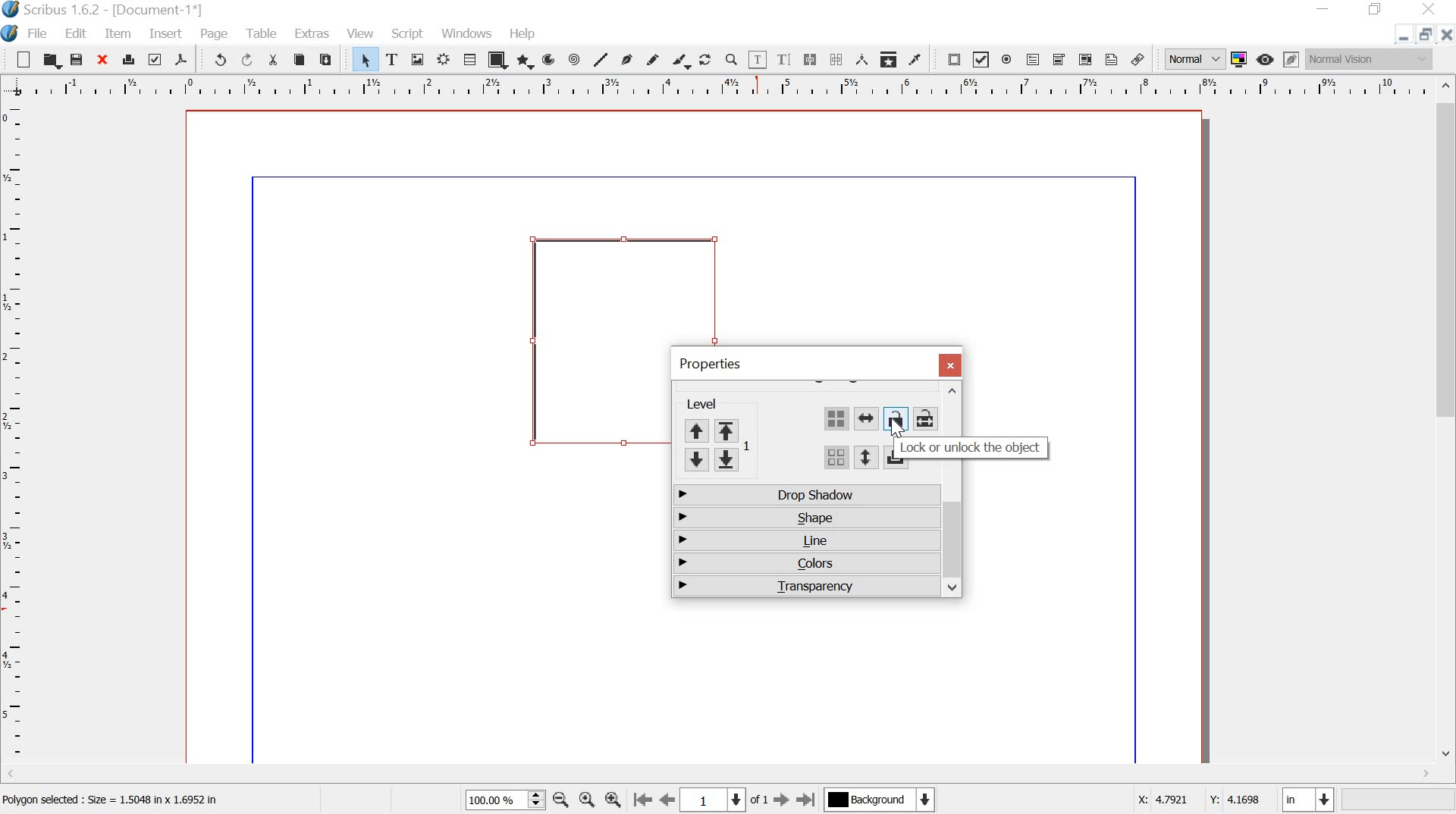 This screenshot has width=1456, height=814. I want to click on text annotation, so click(1112, 61).